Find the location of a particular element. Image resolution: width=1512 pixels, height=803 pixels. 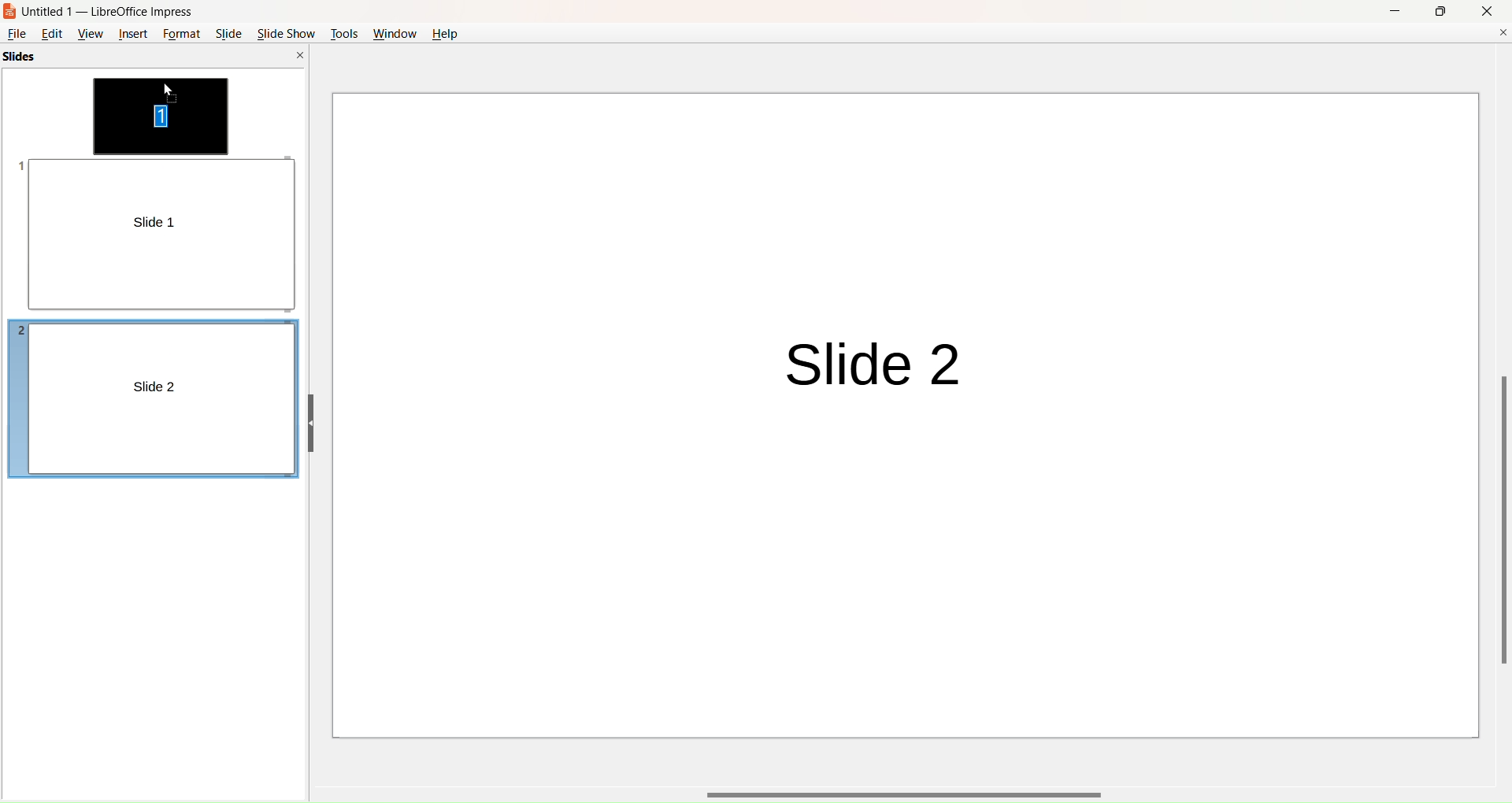

insert is located at coordinates (134, 35).